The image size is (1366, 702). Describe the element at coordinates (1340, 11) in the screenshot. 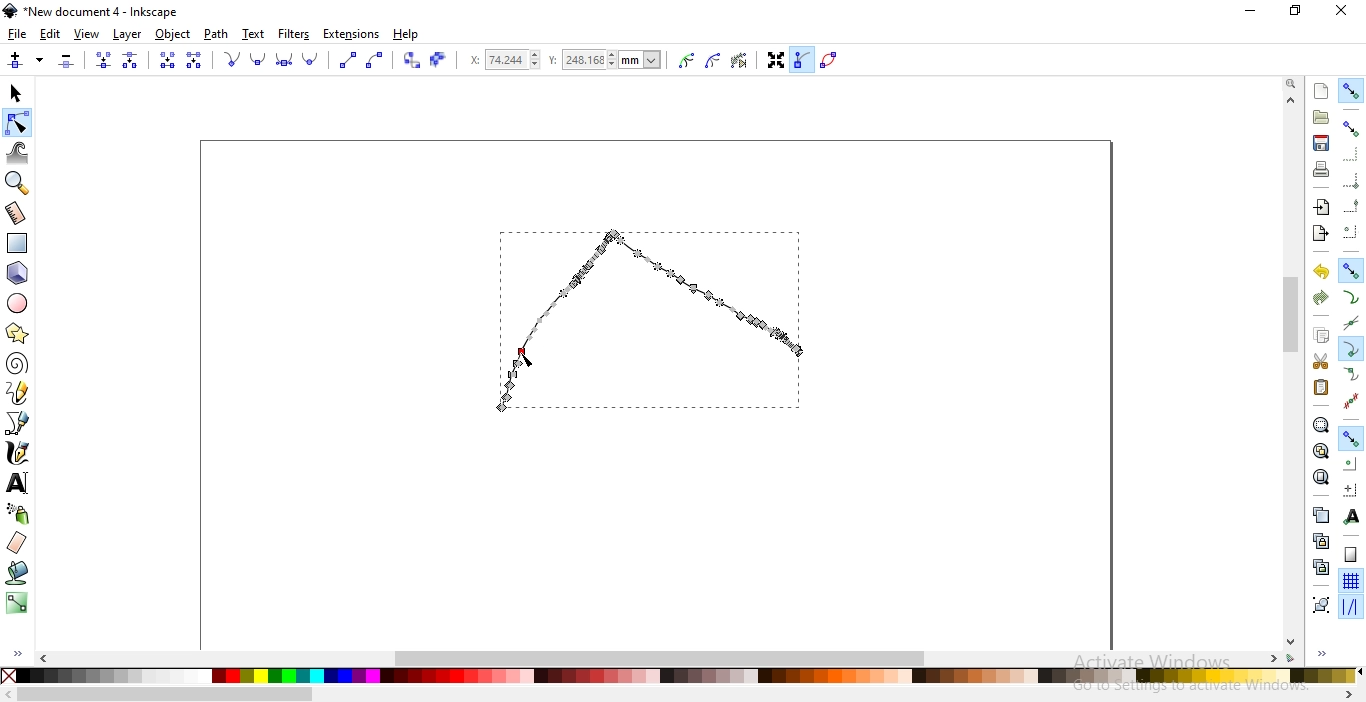

I see `close` at that location.